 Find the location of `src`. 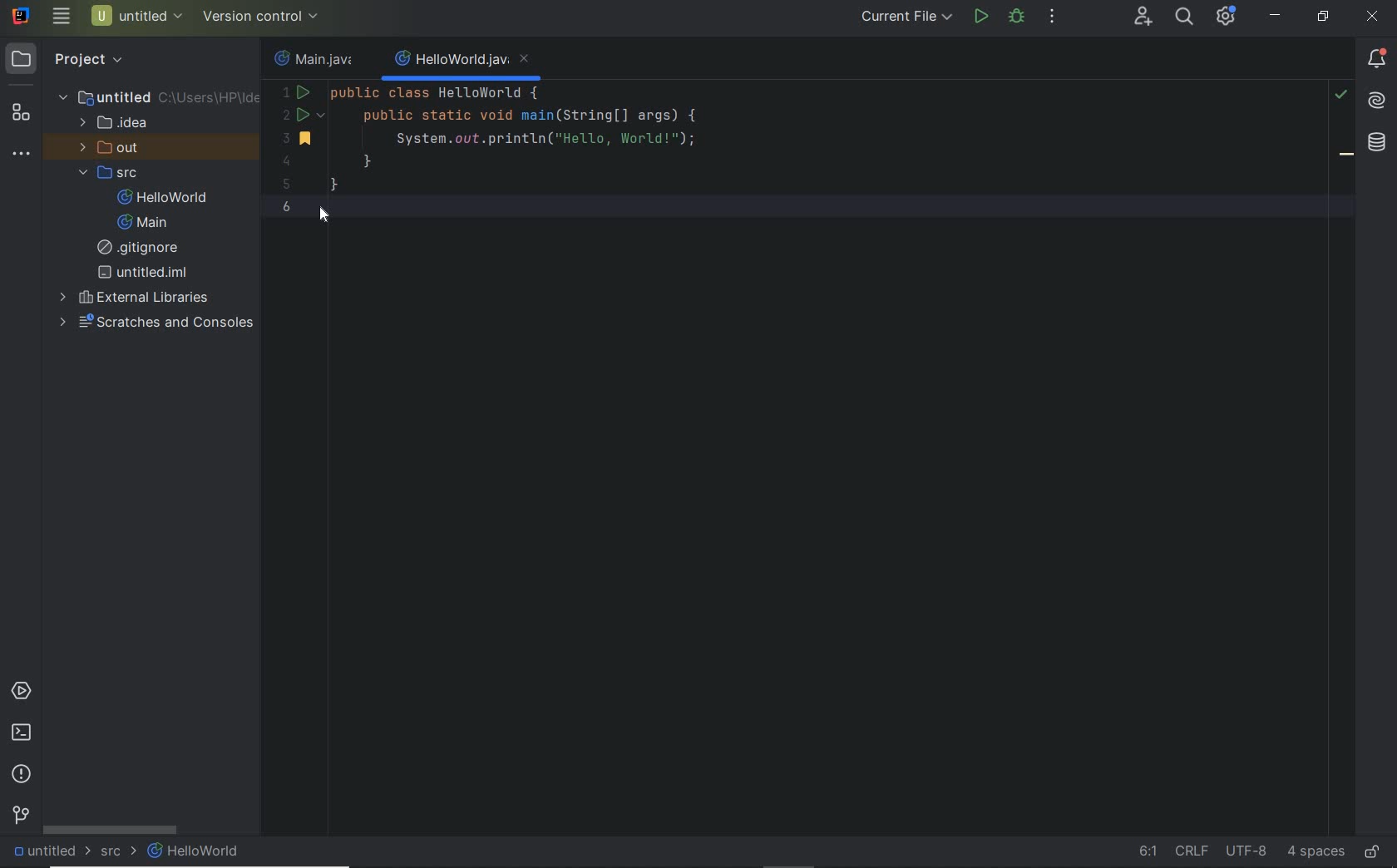

src is located at coordinates (111, 172).